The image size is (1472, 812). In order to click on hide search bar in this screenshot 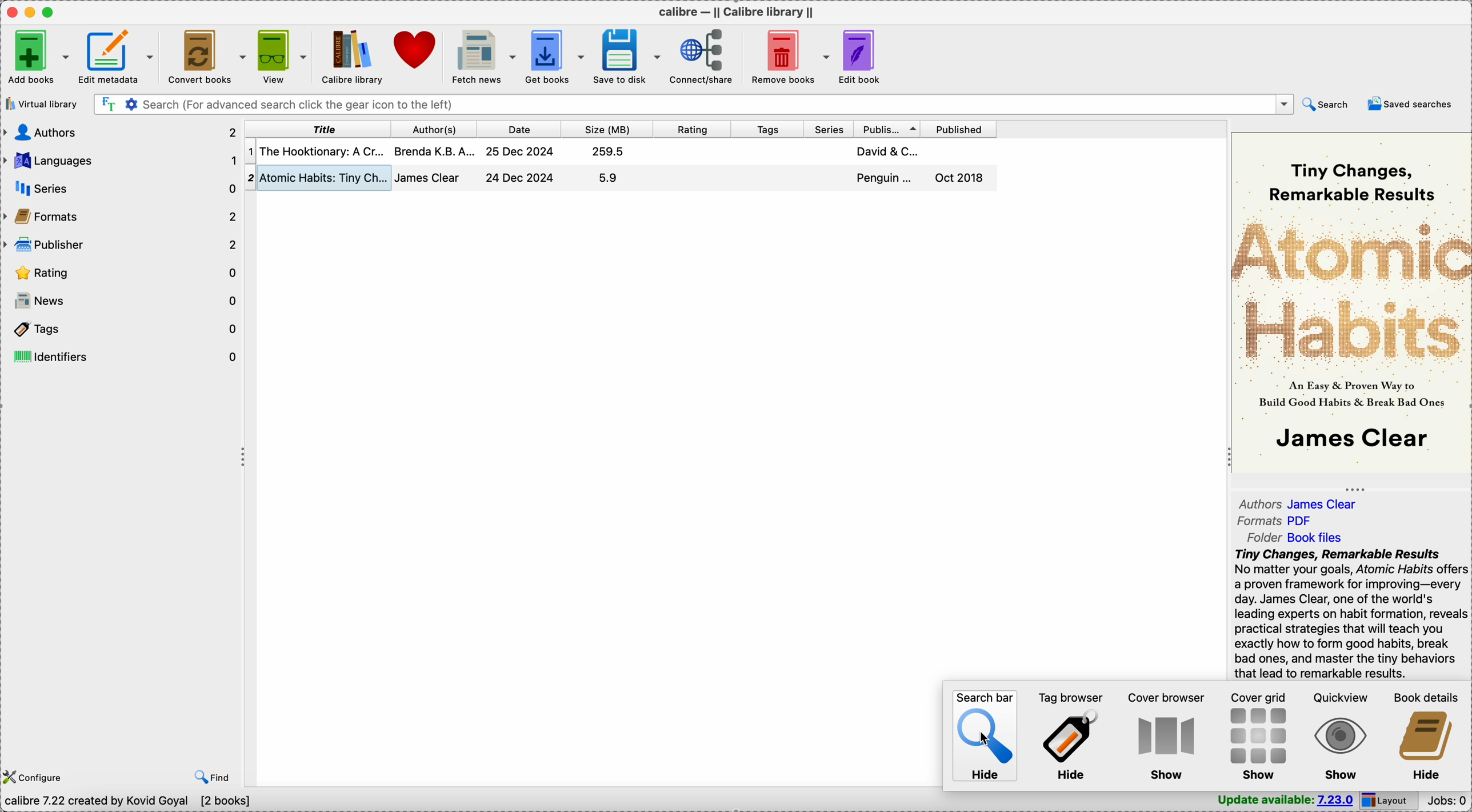, I will do `click(986, 737)`.